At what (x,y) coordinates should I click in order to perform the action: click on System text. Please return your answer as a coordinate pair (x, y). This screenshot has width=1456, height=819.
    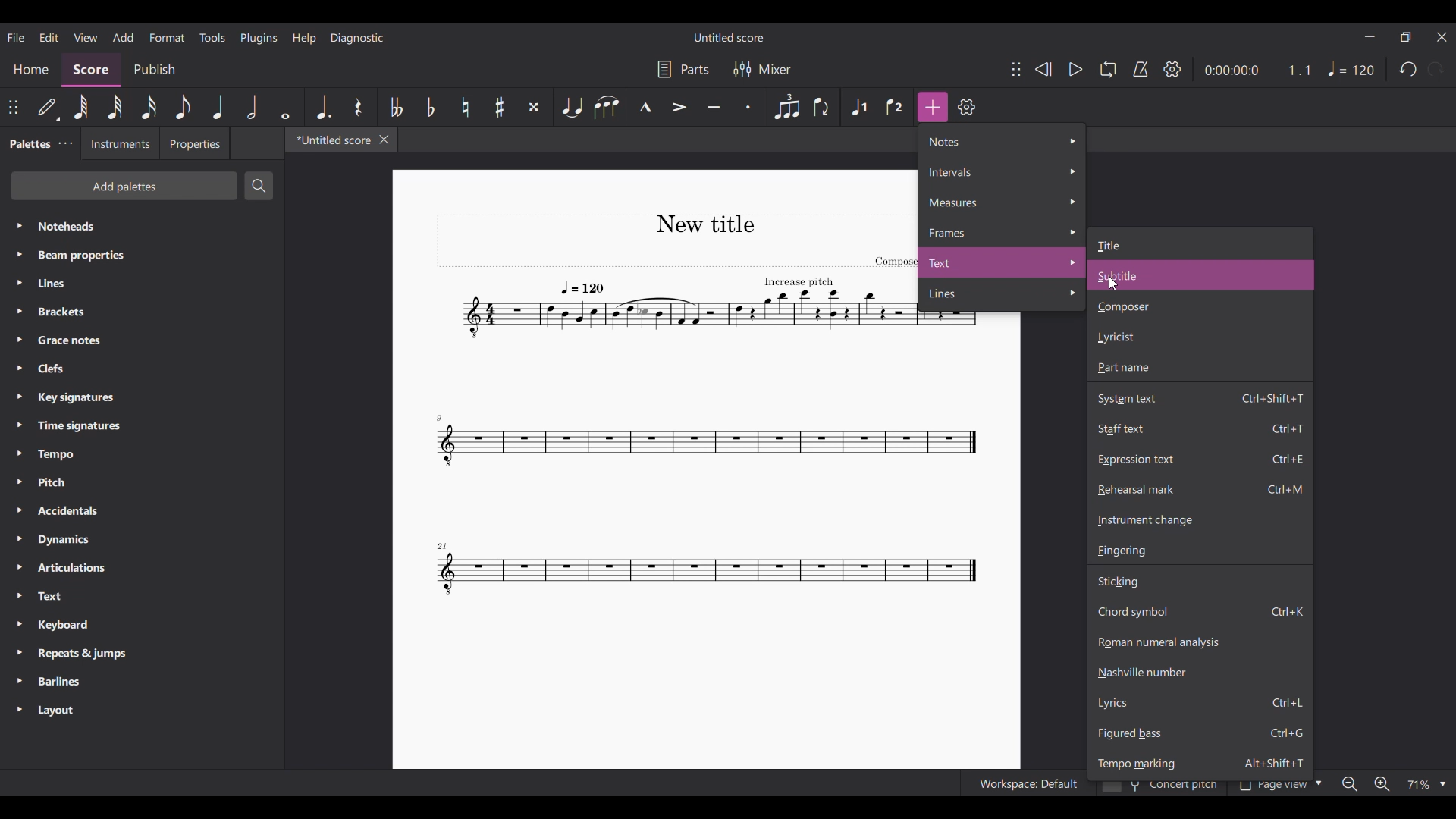
    Looking at the image, I should click on (1200, 397).